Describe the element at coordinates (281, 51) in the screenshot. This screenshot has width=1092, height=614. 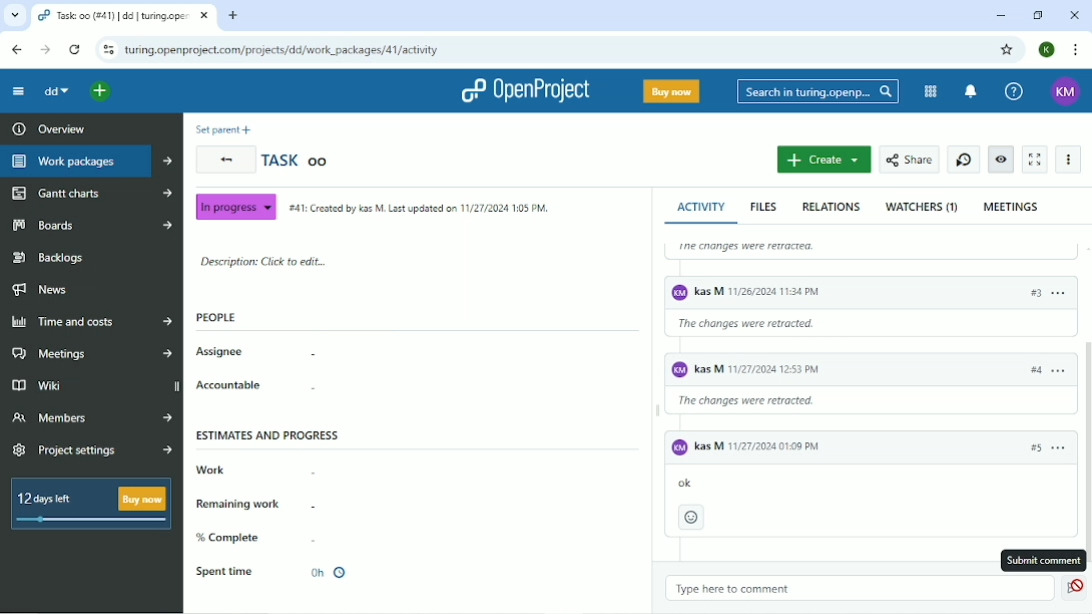
I see `turing.openproject.com/projects/dd/work_packages/41/activity` at that location.